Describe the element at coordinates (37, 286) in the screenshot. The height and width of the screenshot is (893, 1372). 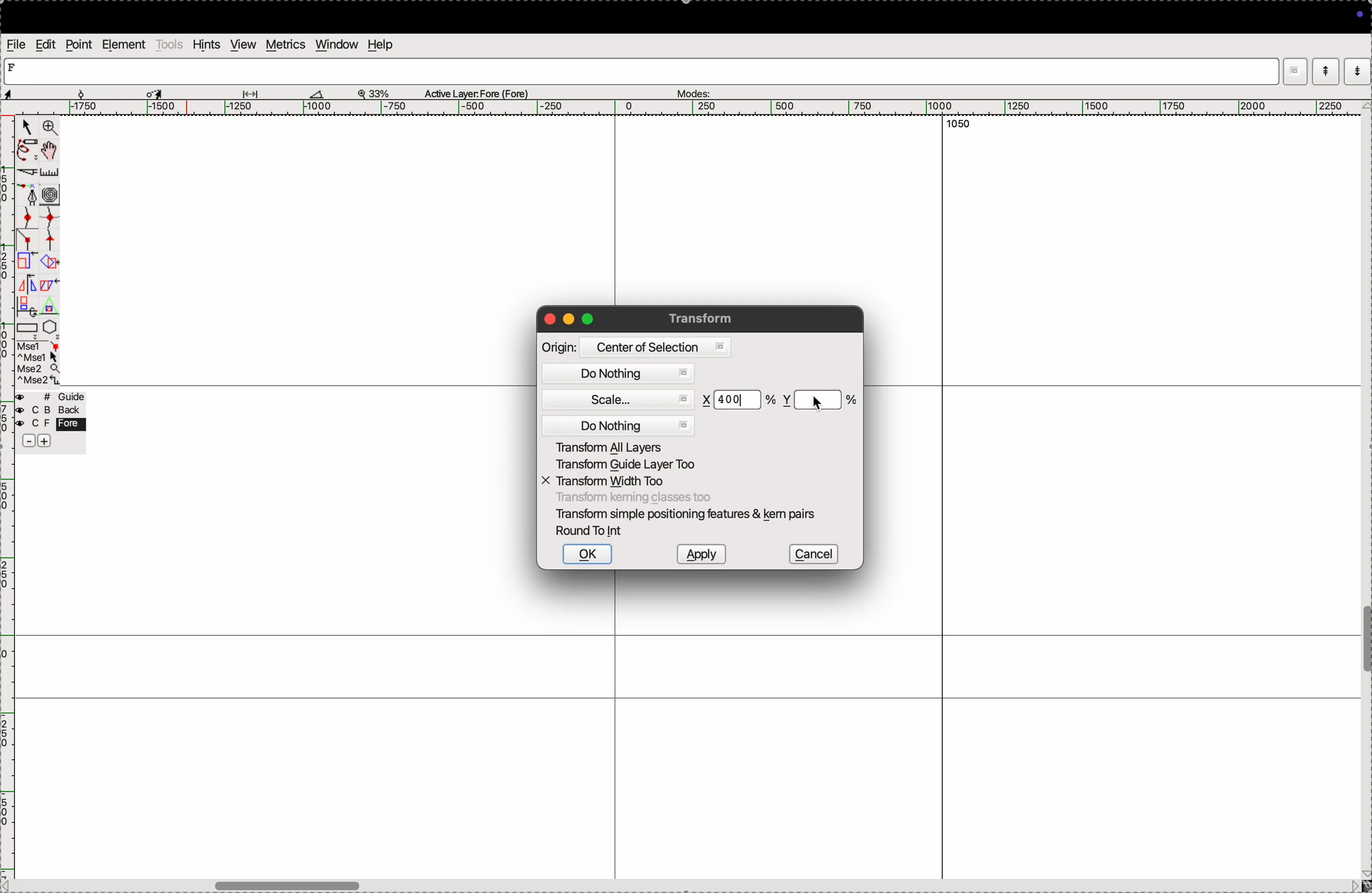
I see `mirror` at that location.